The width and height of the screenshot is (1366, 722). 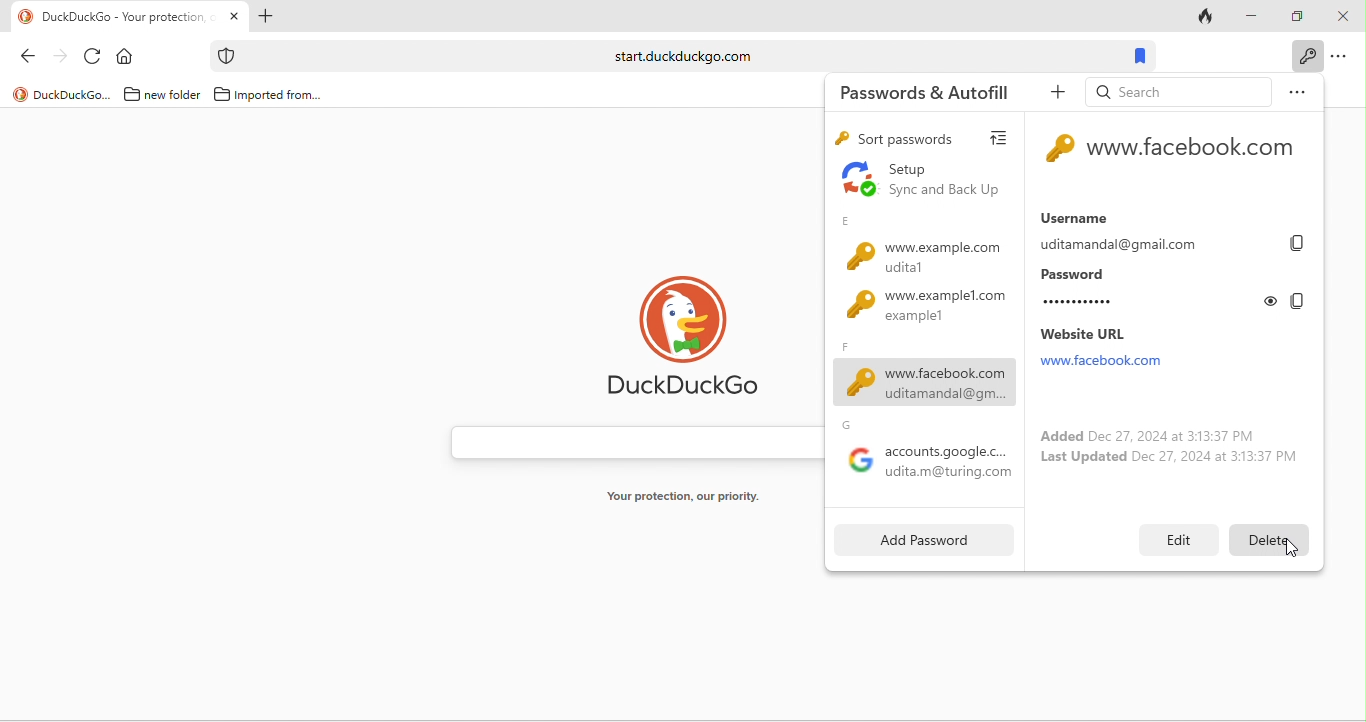 What do you see at coordinates (127, 58) in the screenshot?
I see `home` at bounding box center [127, 58].